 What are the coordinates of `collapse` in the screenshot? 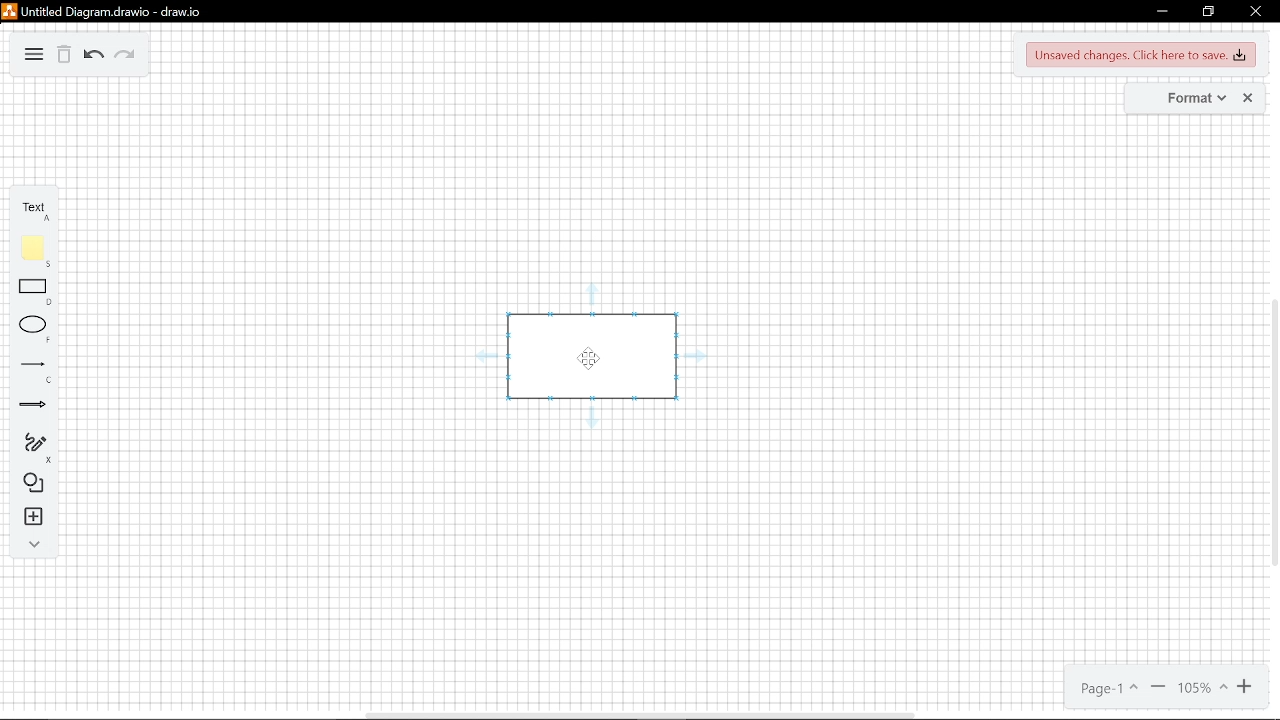 It's located at (34, 544).